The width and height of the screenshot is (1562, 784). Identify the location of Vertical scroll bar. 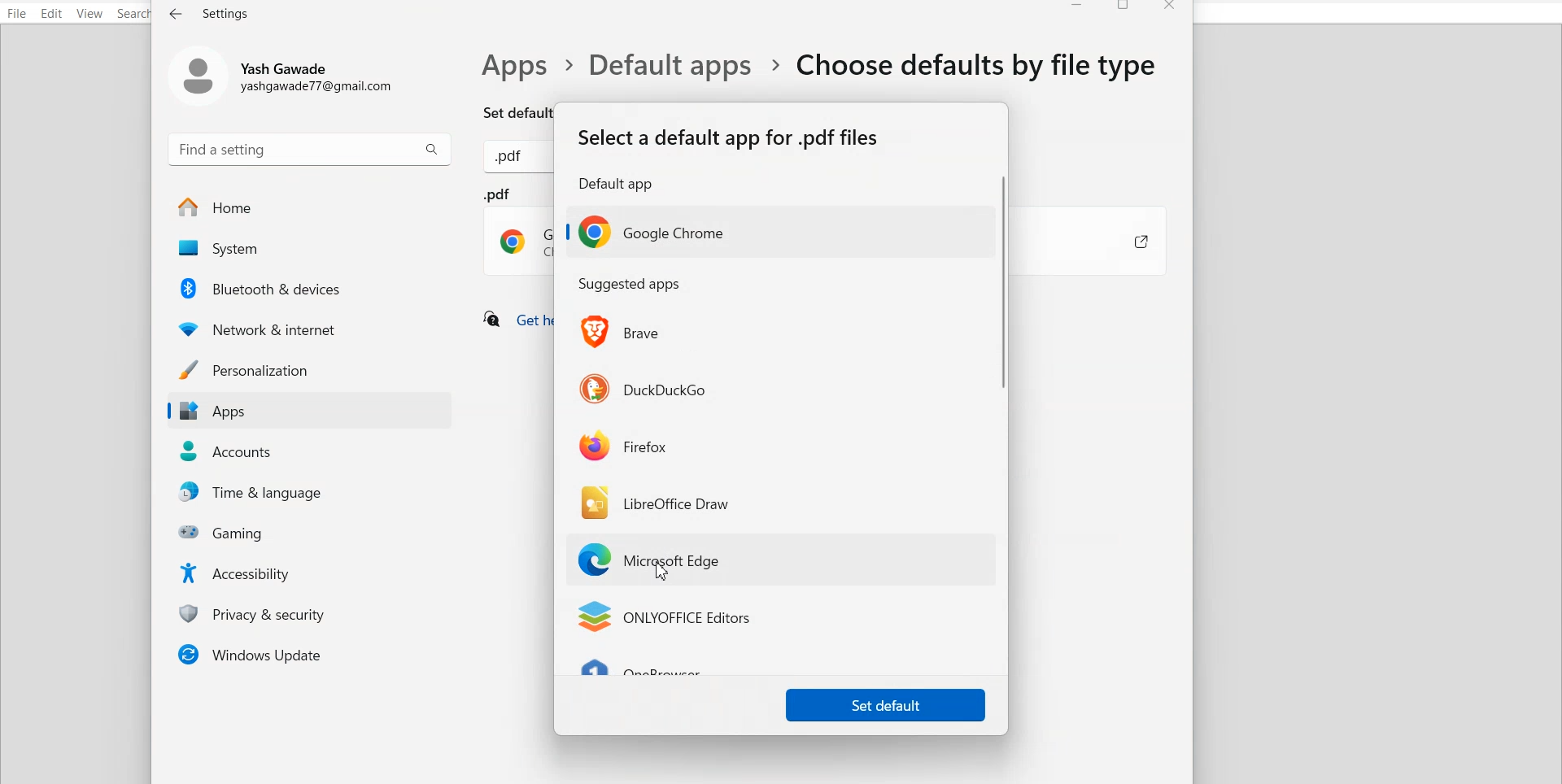
(1004, 422).